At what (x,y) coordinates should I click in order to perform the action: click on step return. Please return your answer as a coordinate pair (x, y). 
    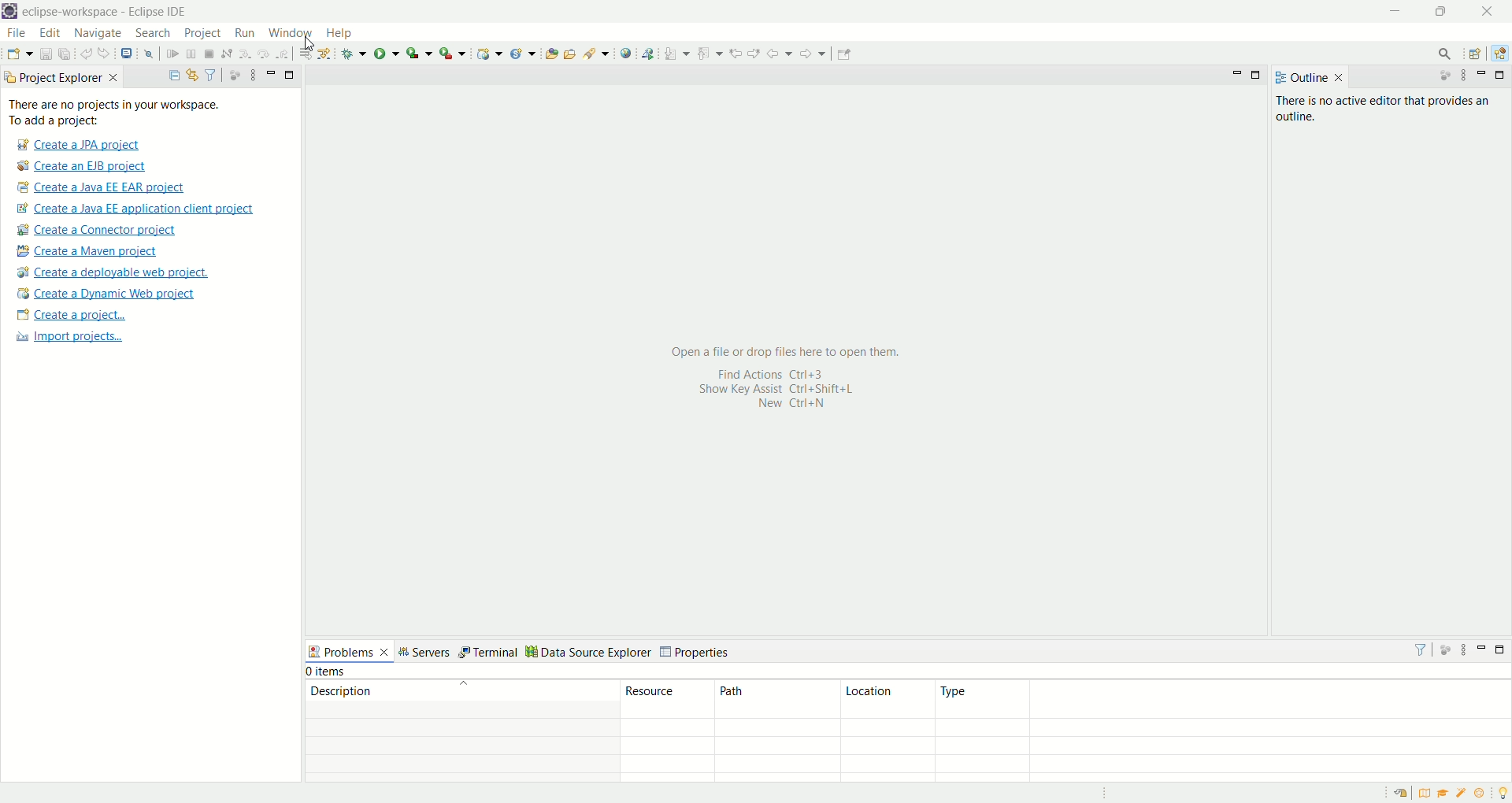
    Looking at the image, I should click on (283, 54).